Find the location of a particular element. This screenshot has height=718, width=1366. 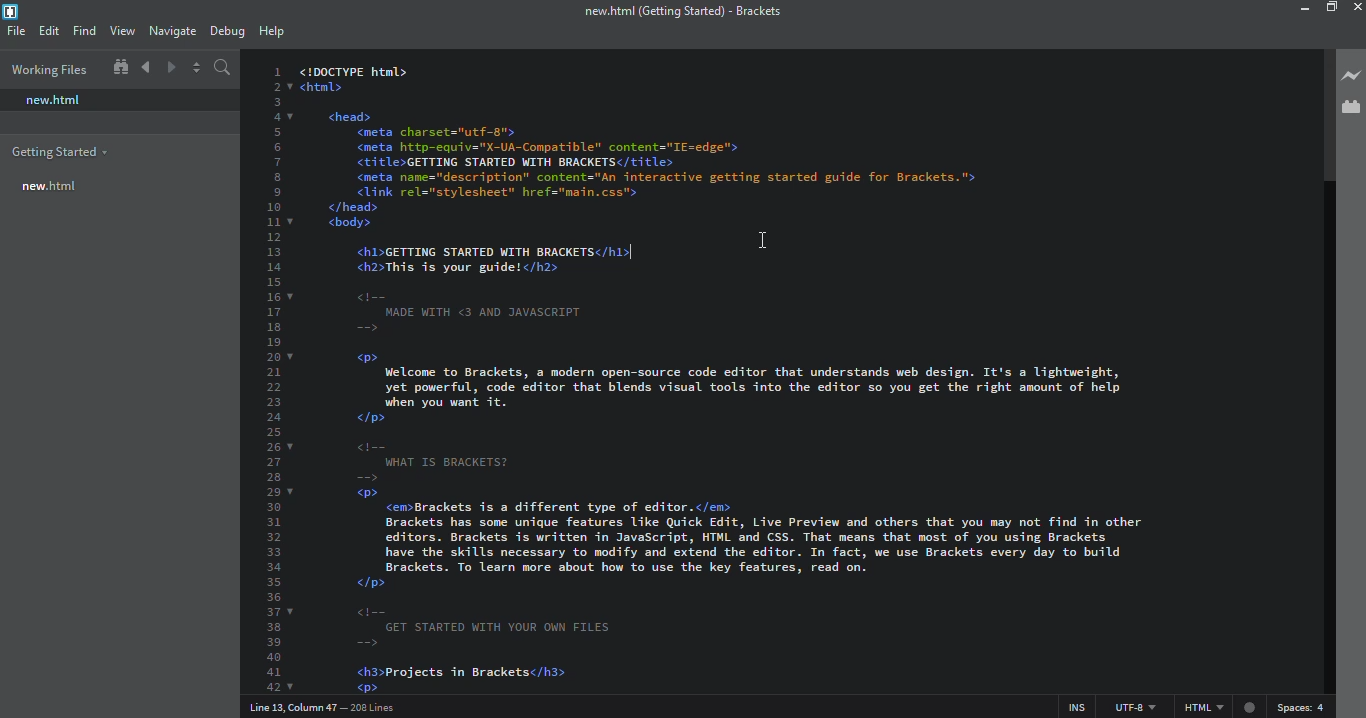

find is located at coordinates (84, 31).